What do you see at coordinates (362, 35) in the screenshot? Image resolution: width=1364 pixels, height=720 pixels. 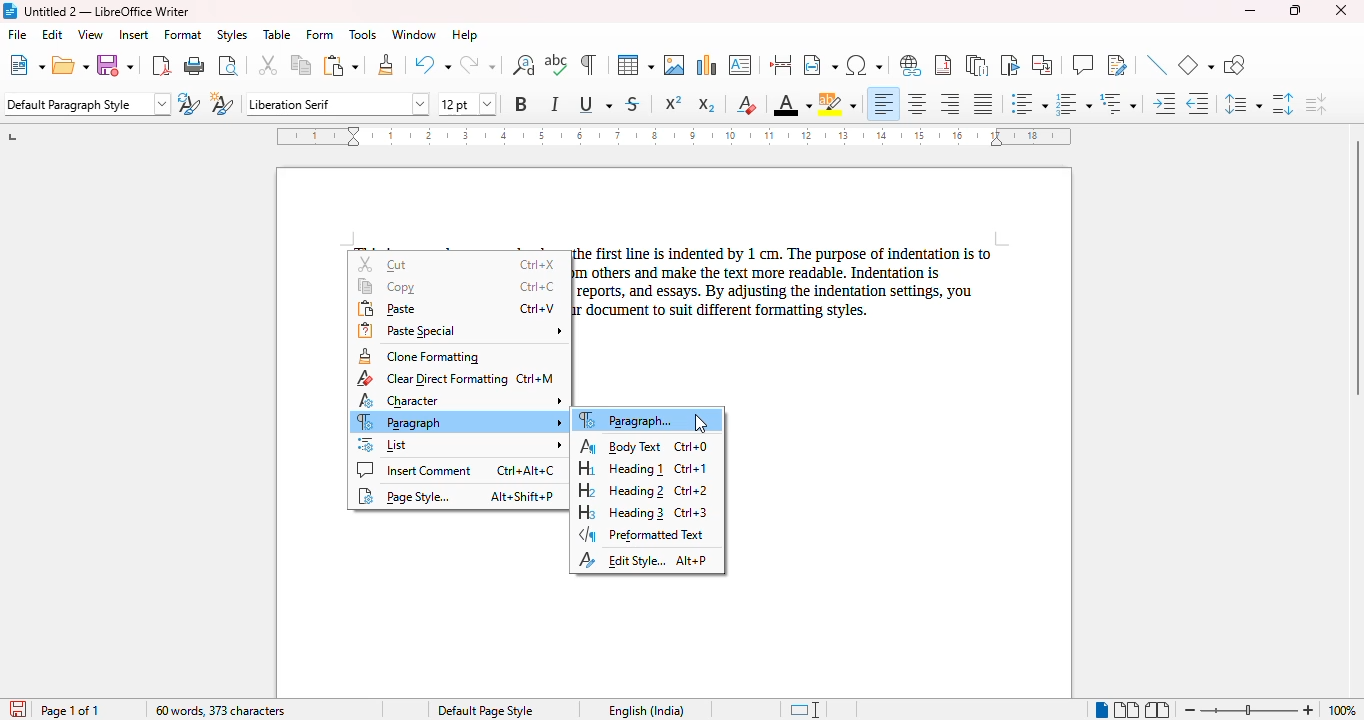 I see `tools` at bounding box center [362, 35].